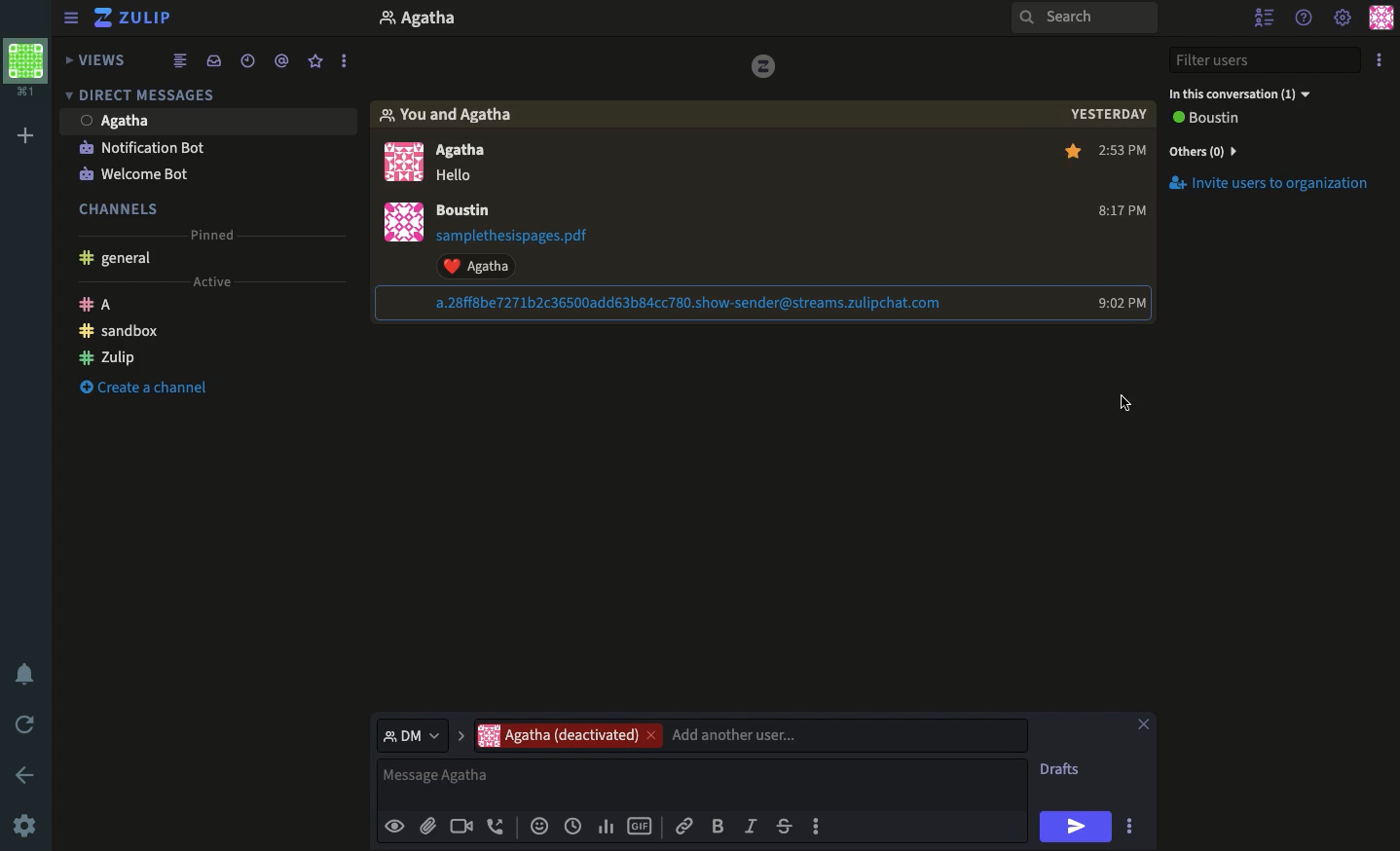 This screenshot has height=851, width=1400. Describe the element at coordinates (497, 826) in the screenshot. I see `Voice call` at that location.